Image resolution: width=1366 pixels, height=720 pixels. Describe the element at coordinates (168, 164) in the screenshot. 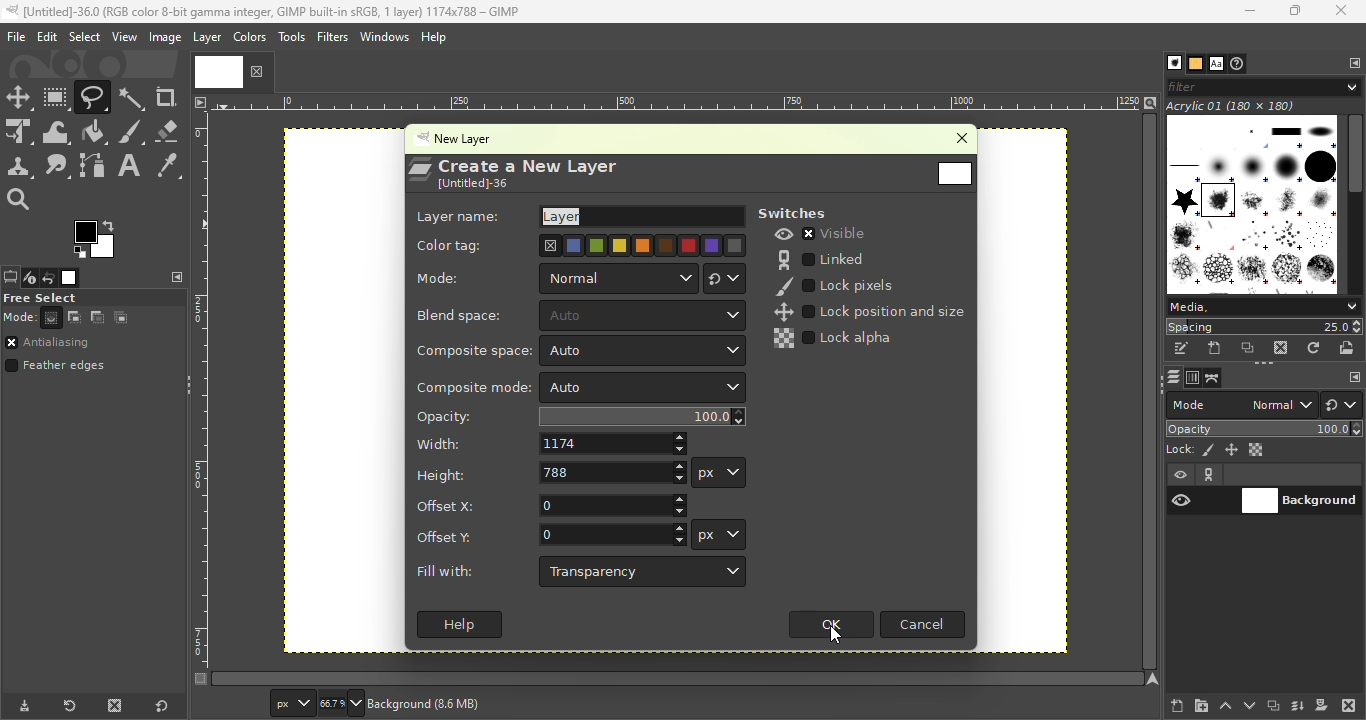

I see `Color picker tool` at that location.